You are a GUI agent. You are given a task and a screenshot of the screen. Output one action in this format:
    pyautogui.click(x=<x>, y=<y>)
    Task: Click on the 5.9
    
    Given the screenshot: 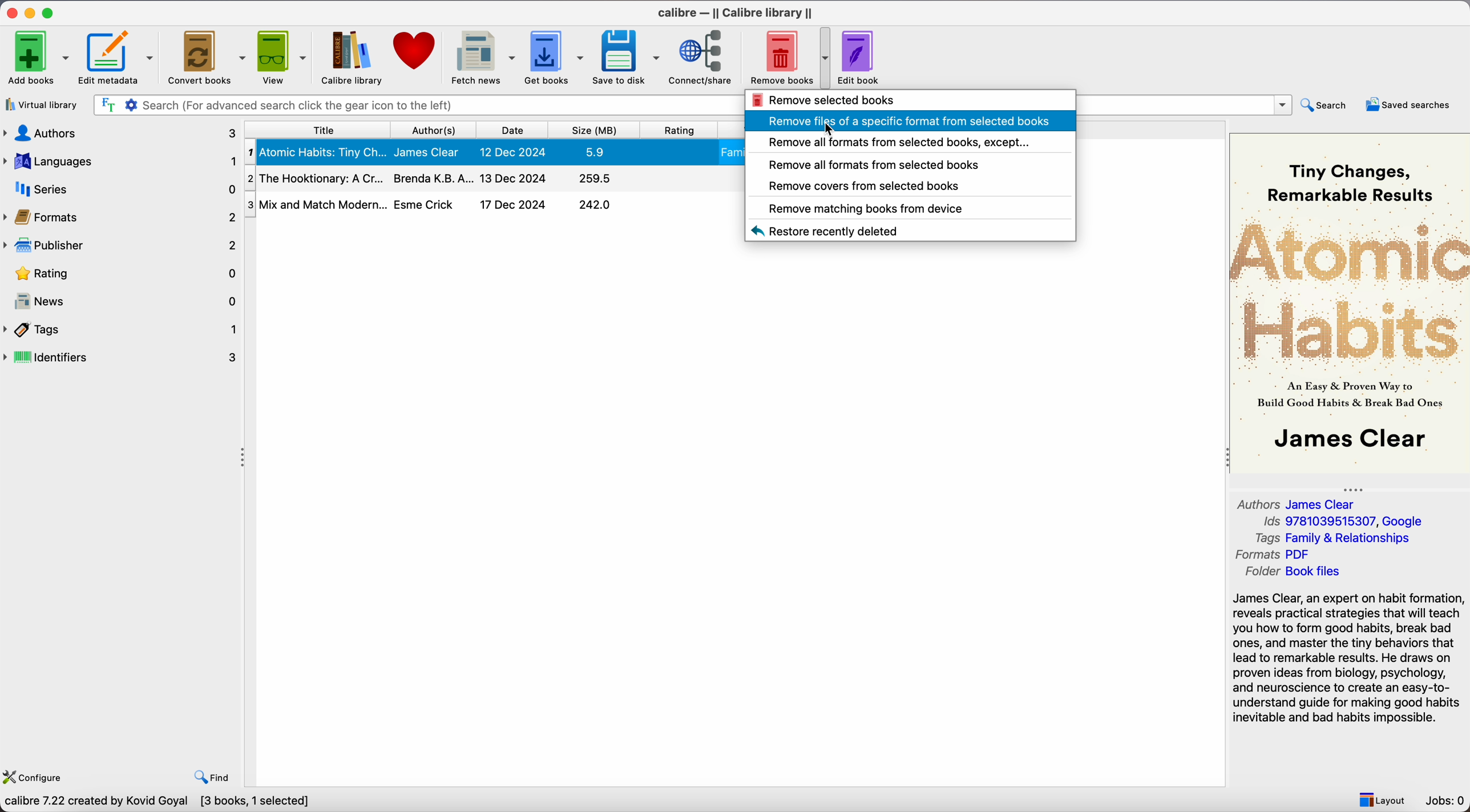 What is the action you would take?
    pyautogui.click(x=597, y=152)
    